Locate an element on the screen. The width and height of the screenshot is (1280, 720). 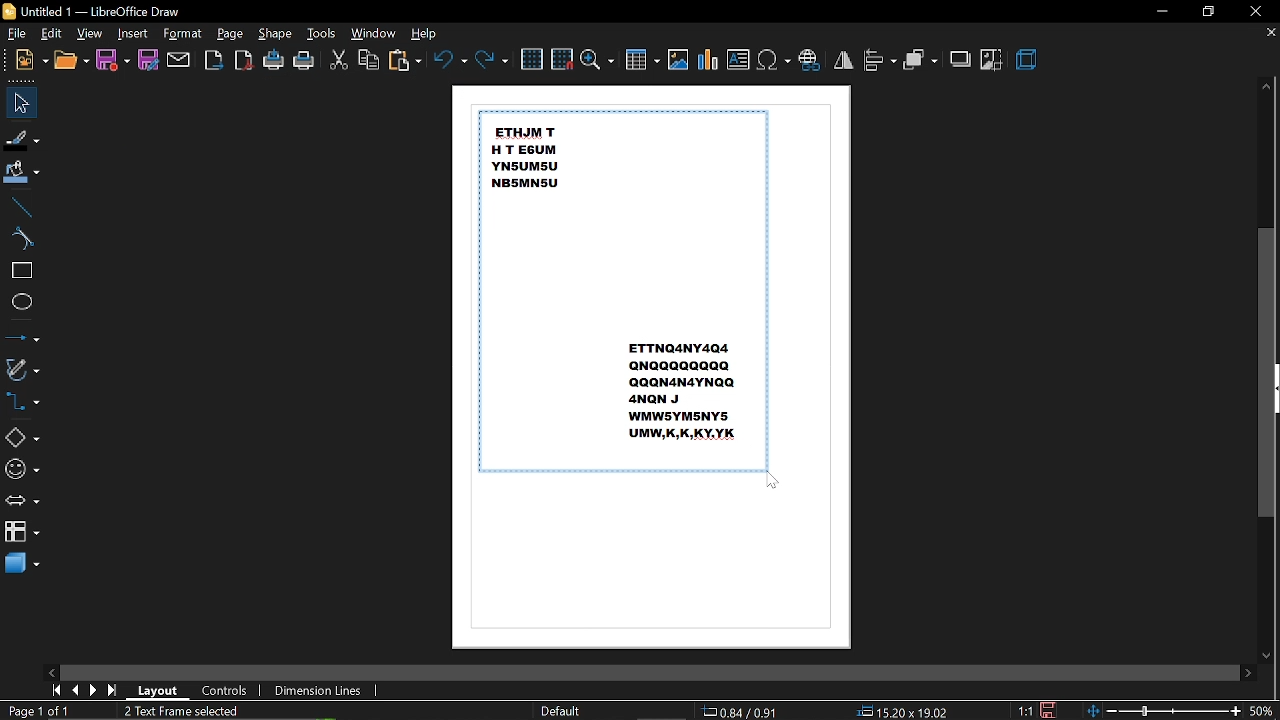
print is located at coordinates (305, 61).